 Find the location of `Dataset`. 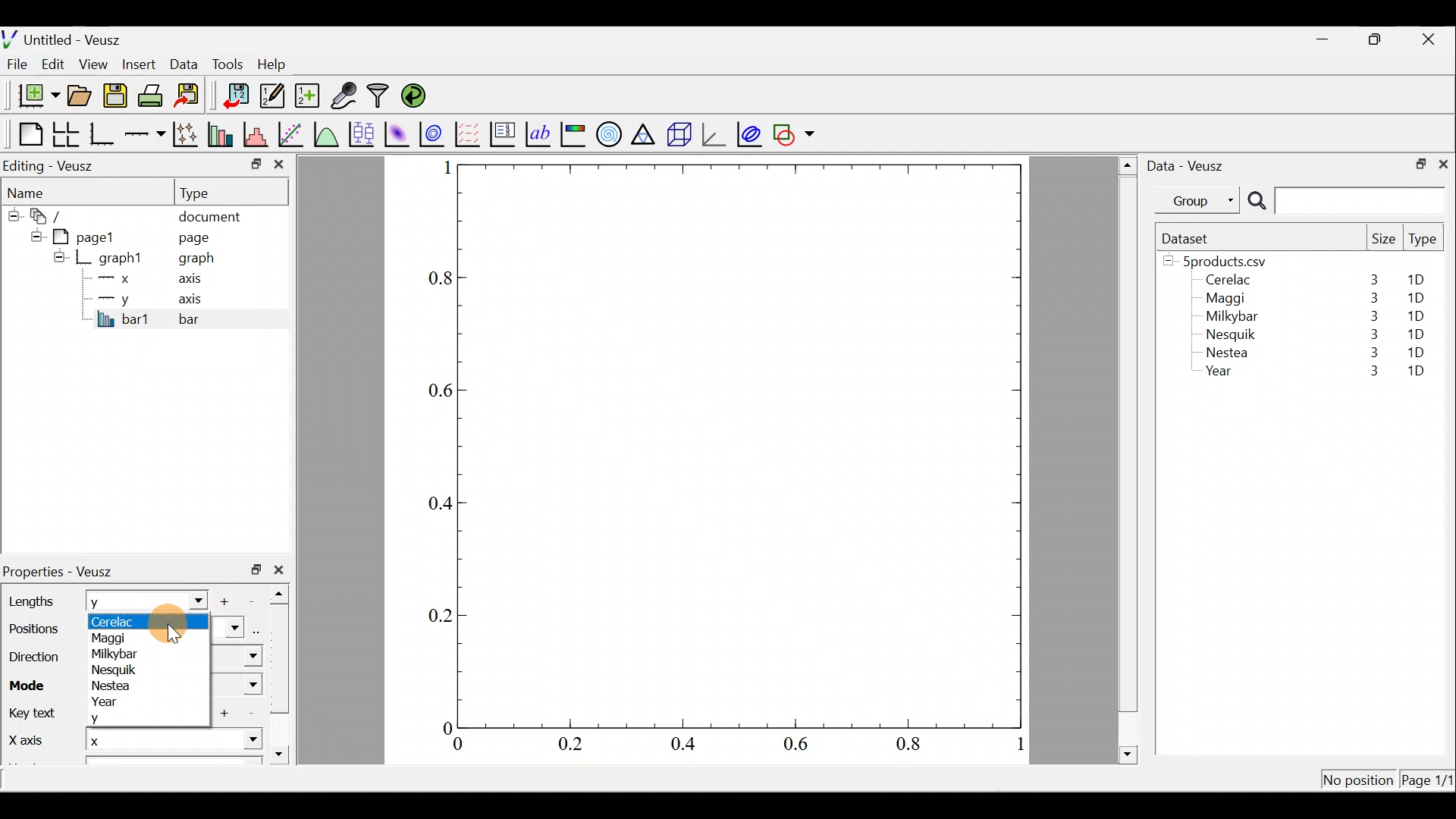

Dataset is located at coordinates (1191, 238).